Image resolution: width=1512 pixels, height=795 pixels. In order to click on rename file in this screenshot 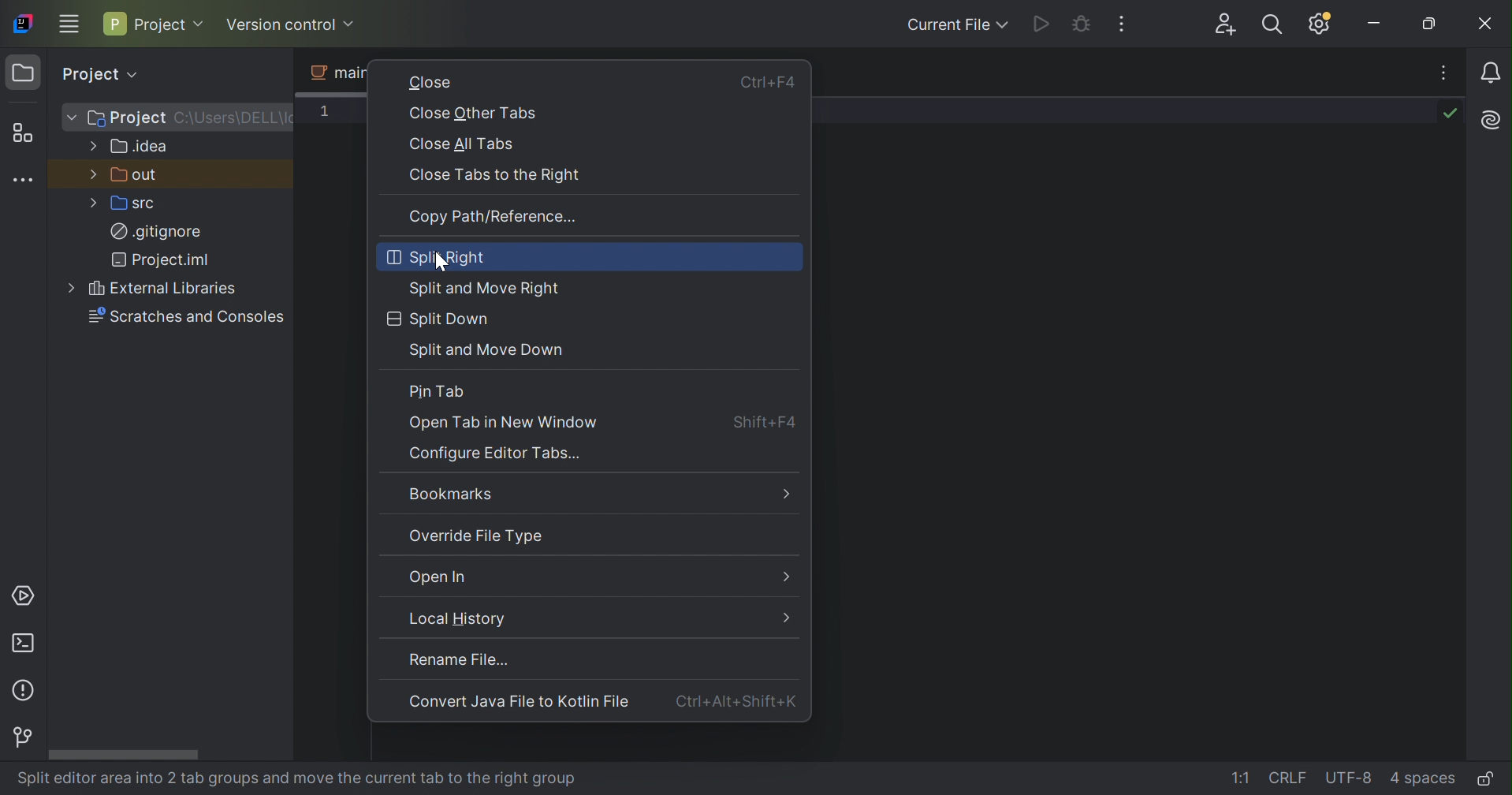, I will do `click(459, 661)`.